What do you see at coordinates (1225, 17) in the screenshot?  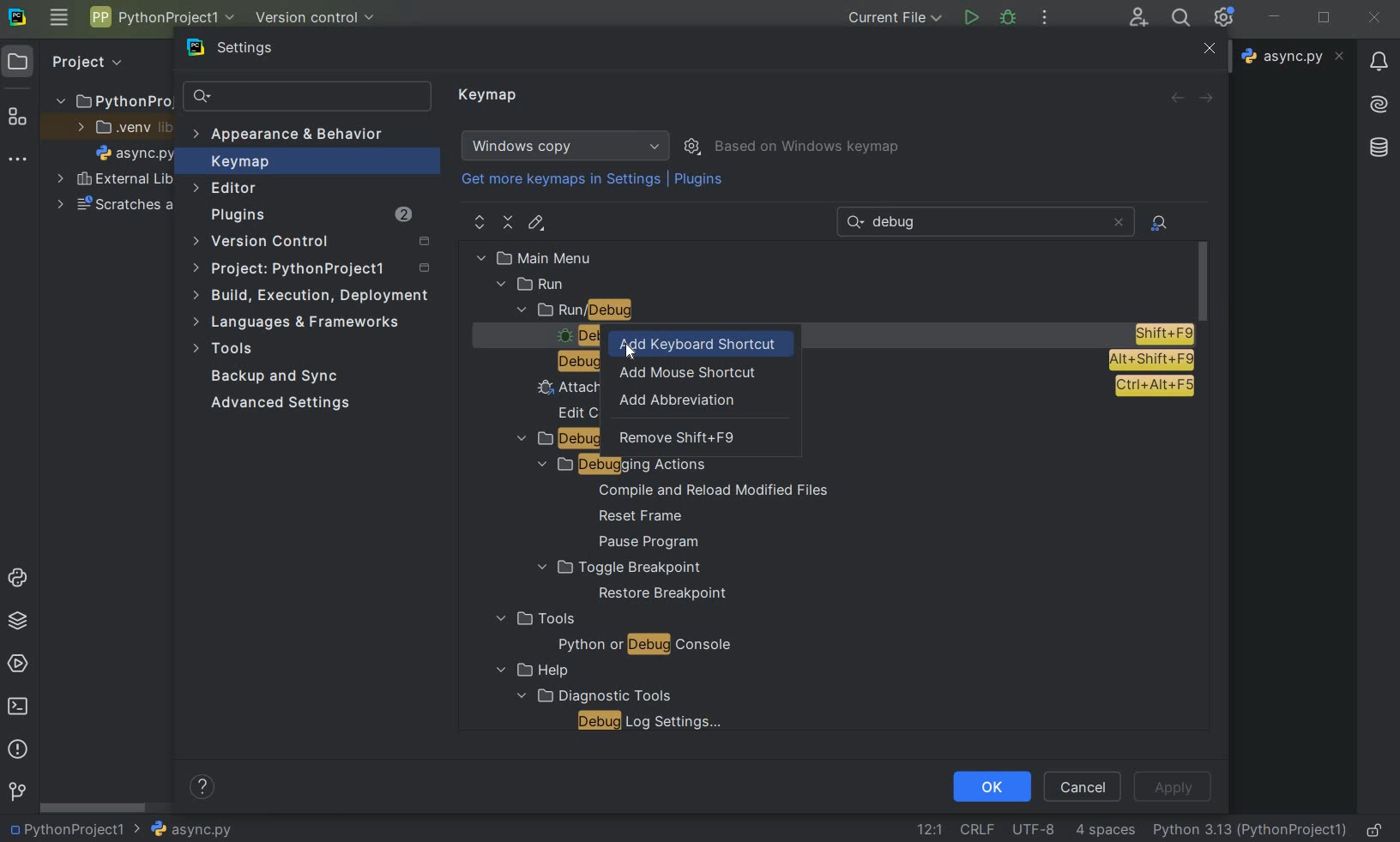 I see `ide and project settings` at bounding box center [1225, 17].